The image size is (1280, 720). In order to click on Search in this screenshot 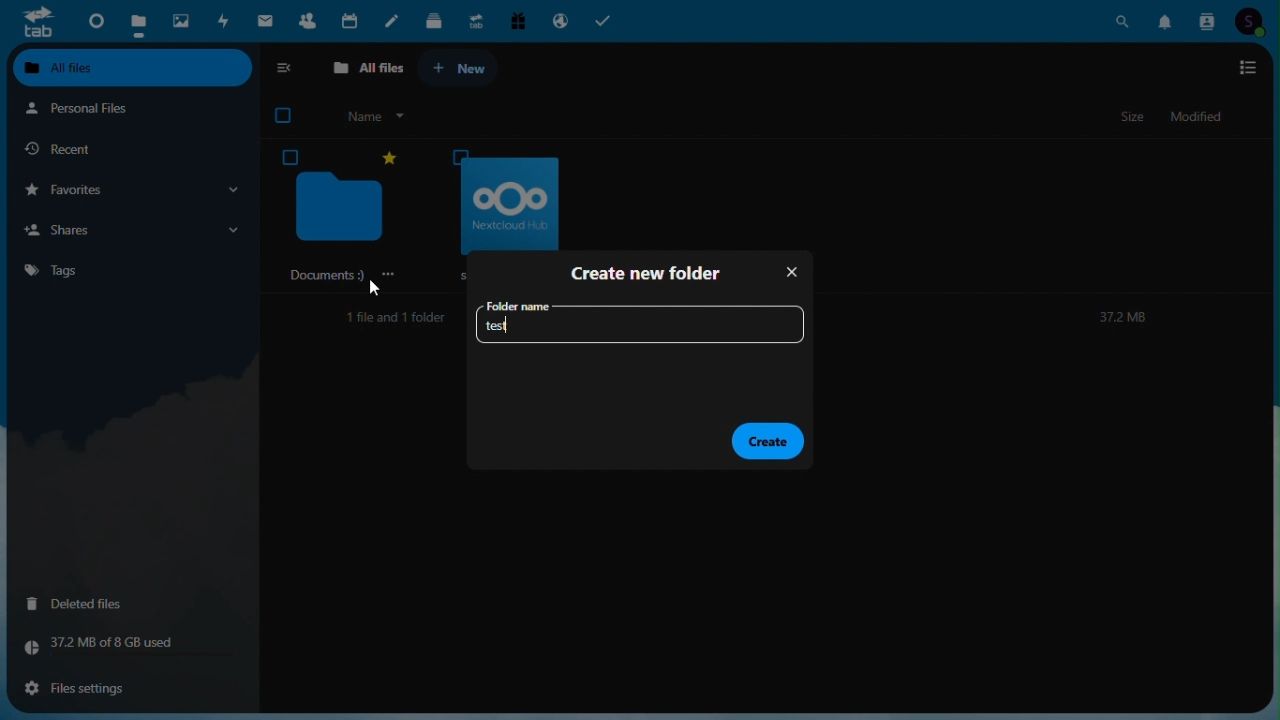, I will do `click(1126, 18)`.